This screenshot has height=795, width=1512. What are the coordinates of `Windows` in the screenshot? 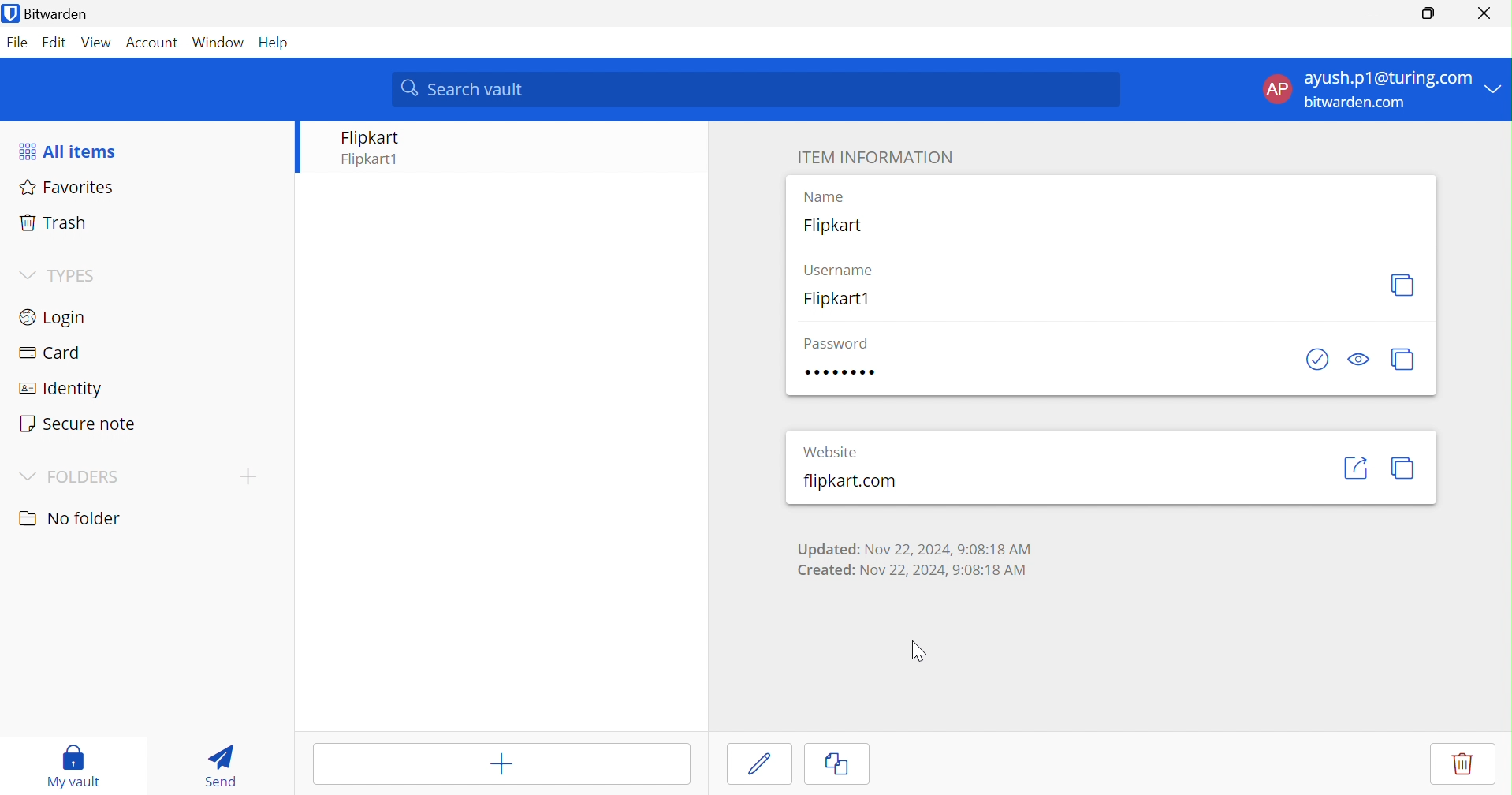 It's located at (220, 43).